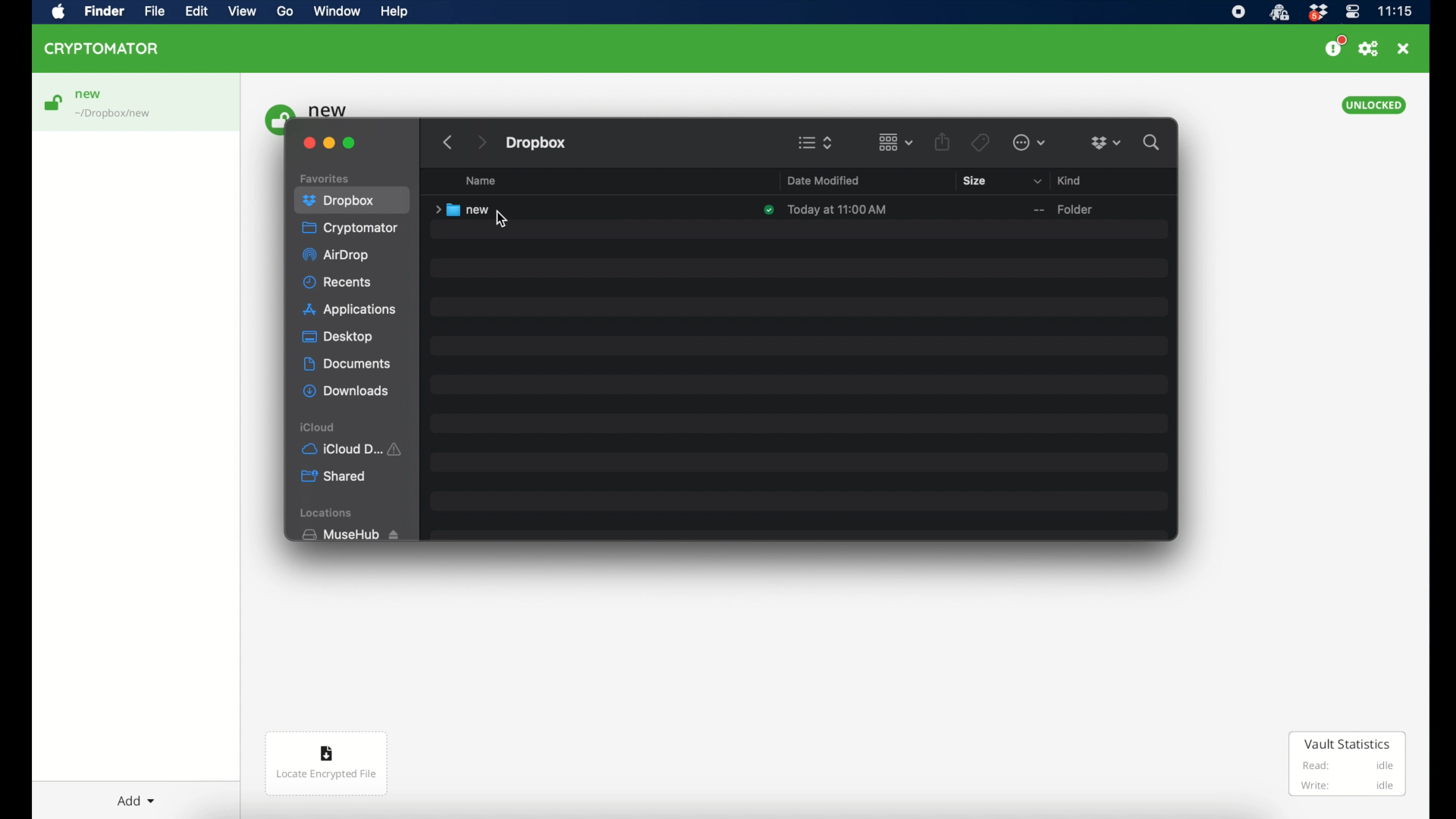 This screenshot has height=819, width=1456. I want to click on dropbox, so click(1106, 143).